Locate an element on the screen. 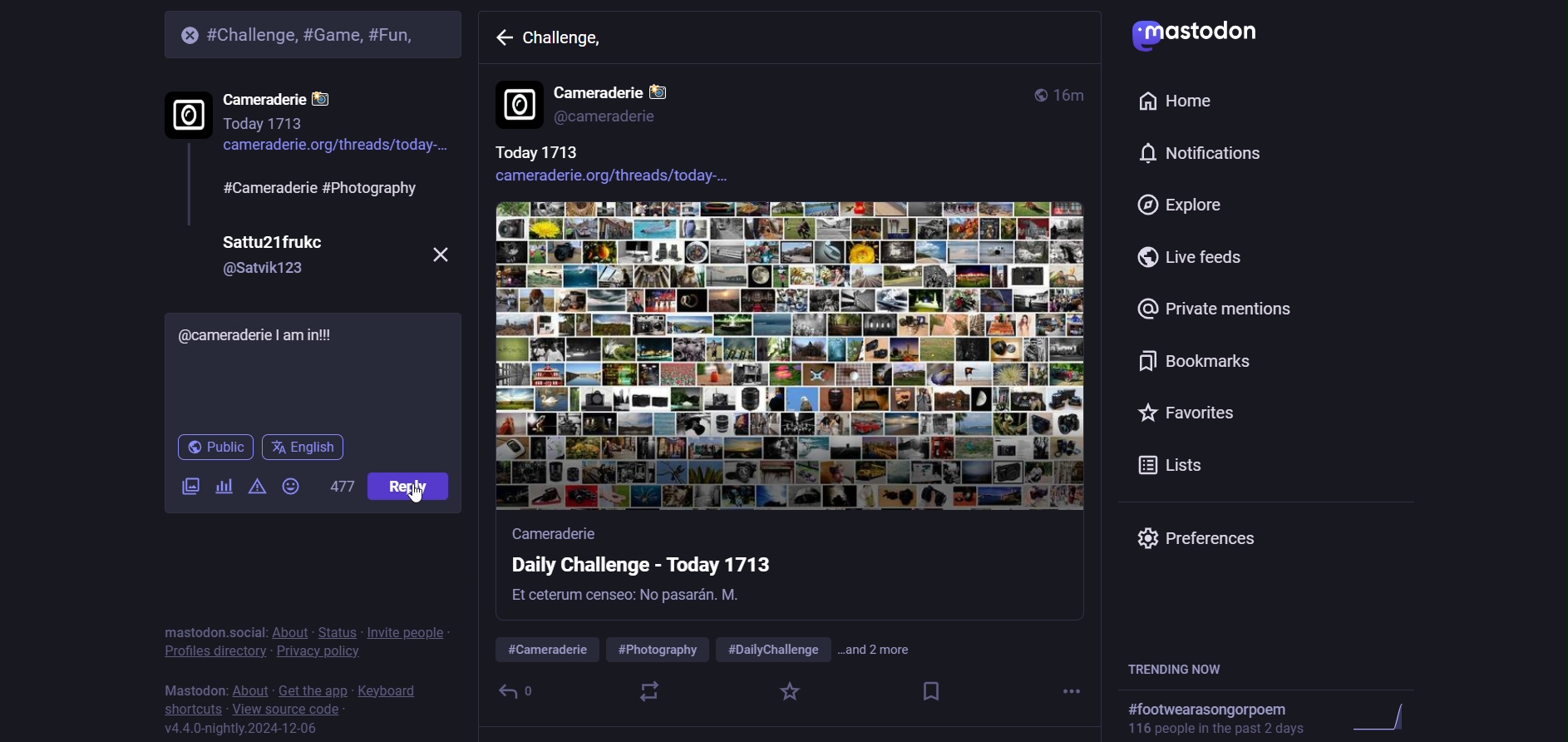 This screenshot has height=742, width=1568. shortcut is located at coordinates (193, 708).